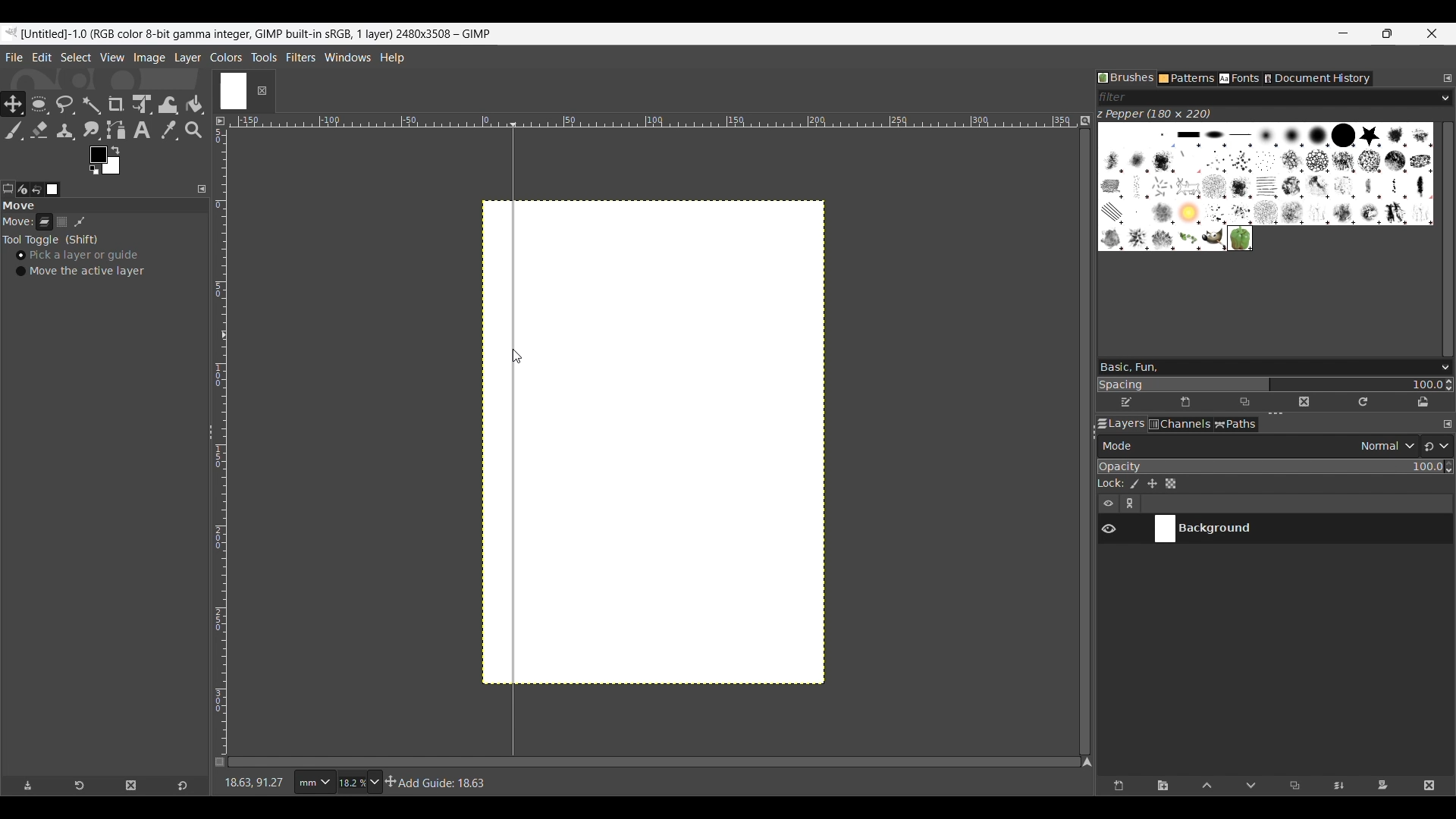  Describe the element at coordinates (264, 57) in the screenshot. I see `Tools menu` at that location.